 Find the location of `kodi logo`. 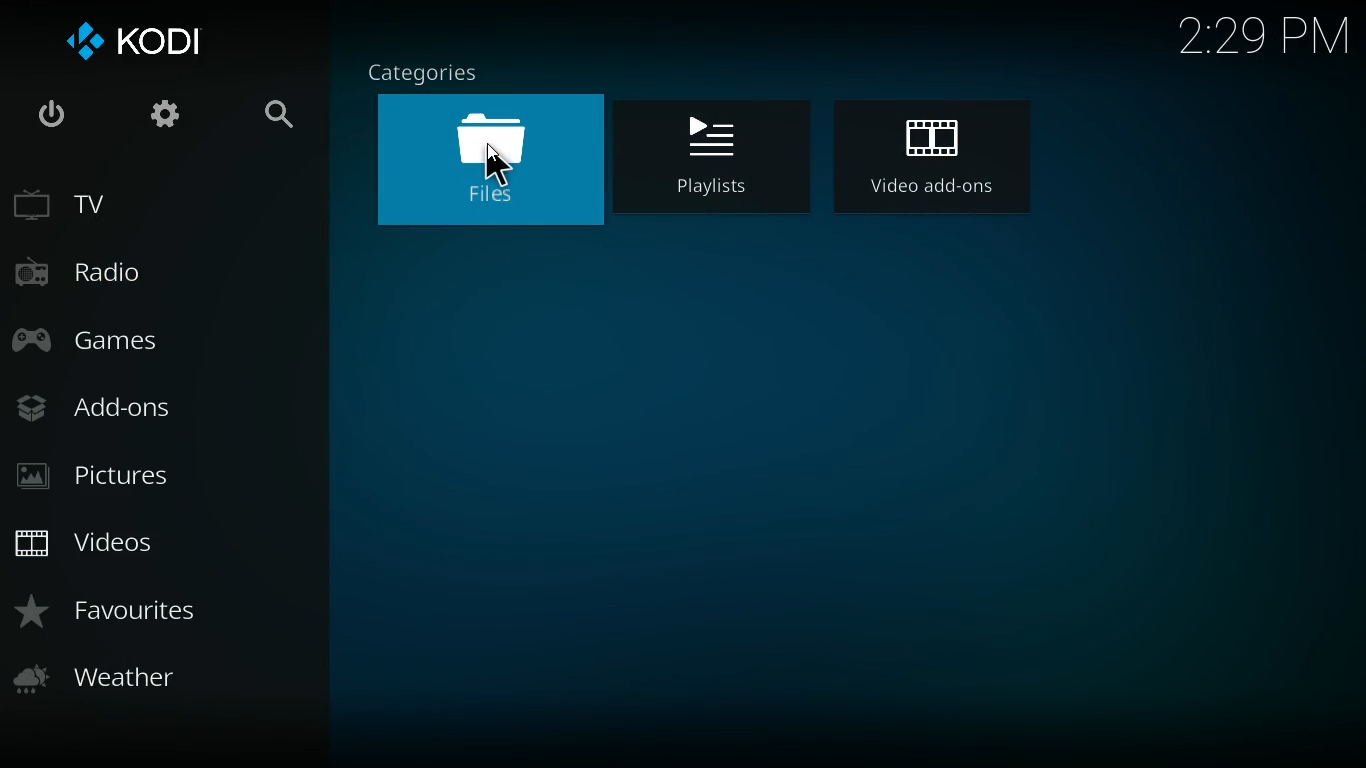

kodi logo is located at coordinates (131, 39).